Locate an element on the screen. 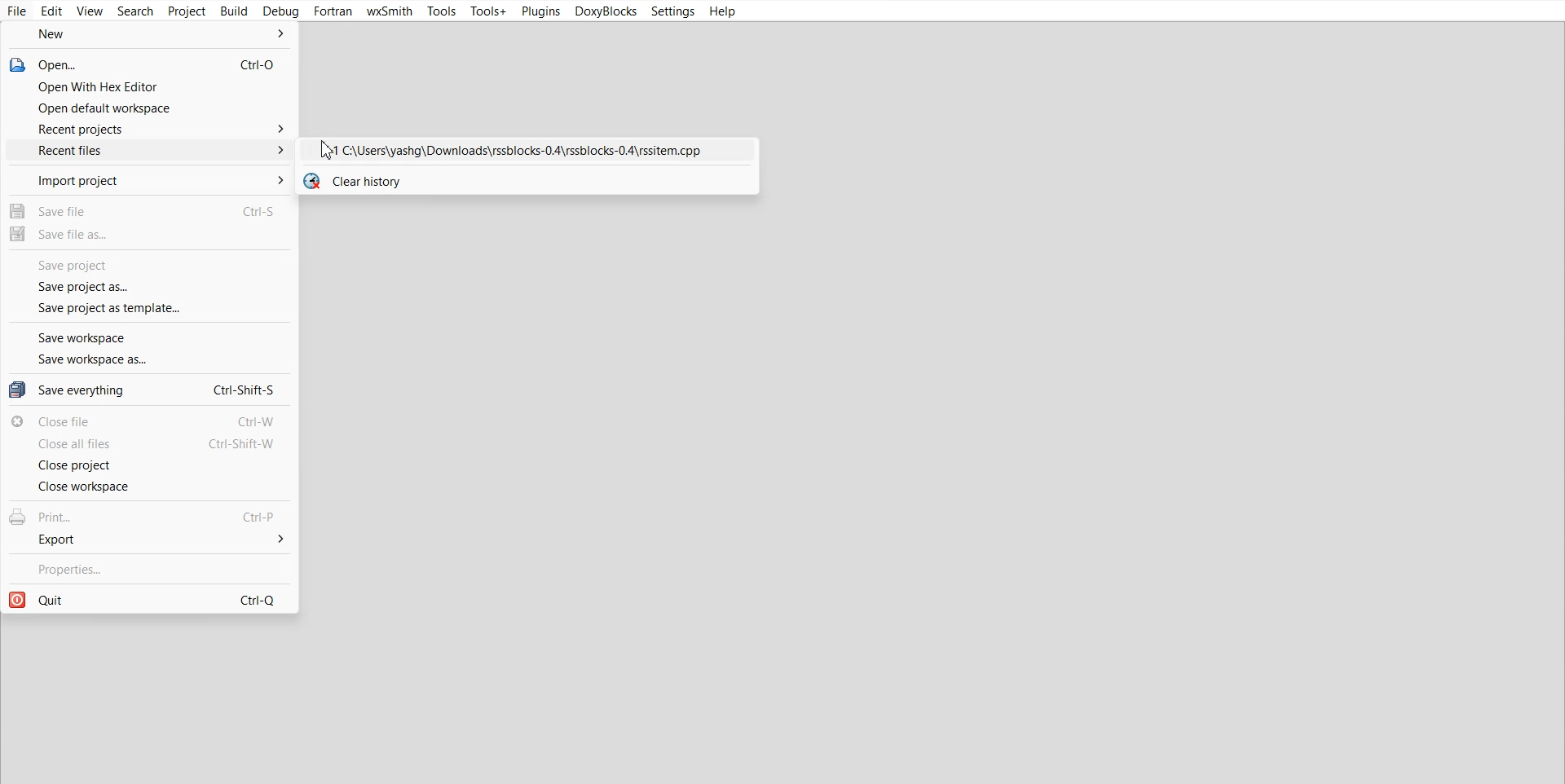 This screenshot has width=1565, height=784. Cursor is located at coordinates (328, 150).